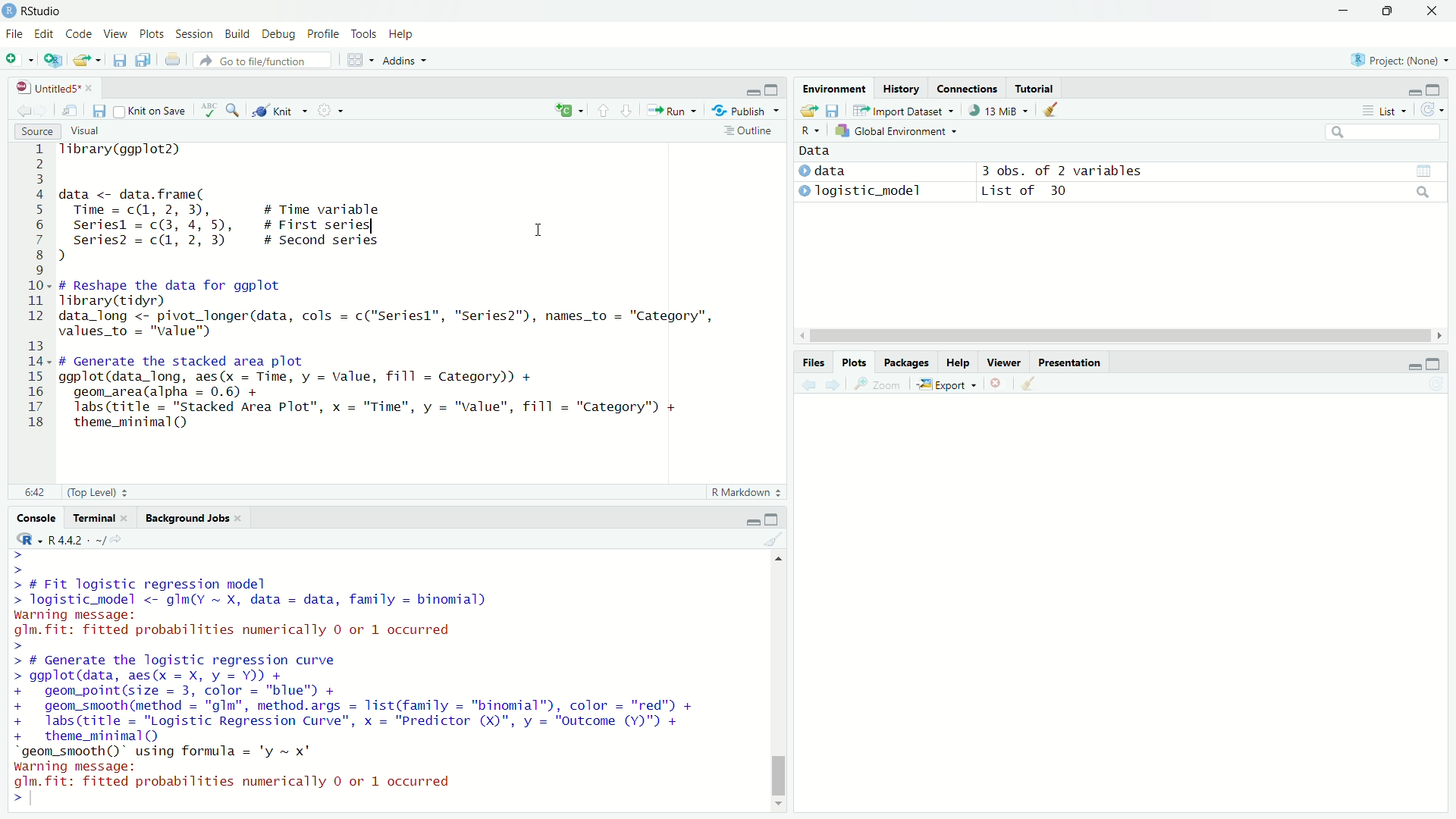 This screenshot has width=1456, height=819. Describe the element at coordinates (1005, 112) in the screenshot. I see `13 MiB +` at that location.